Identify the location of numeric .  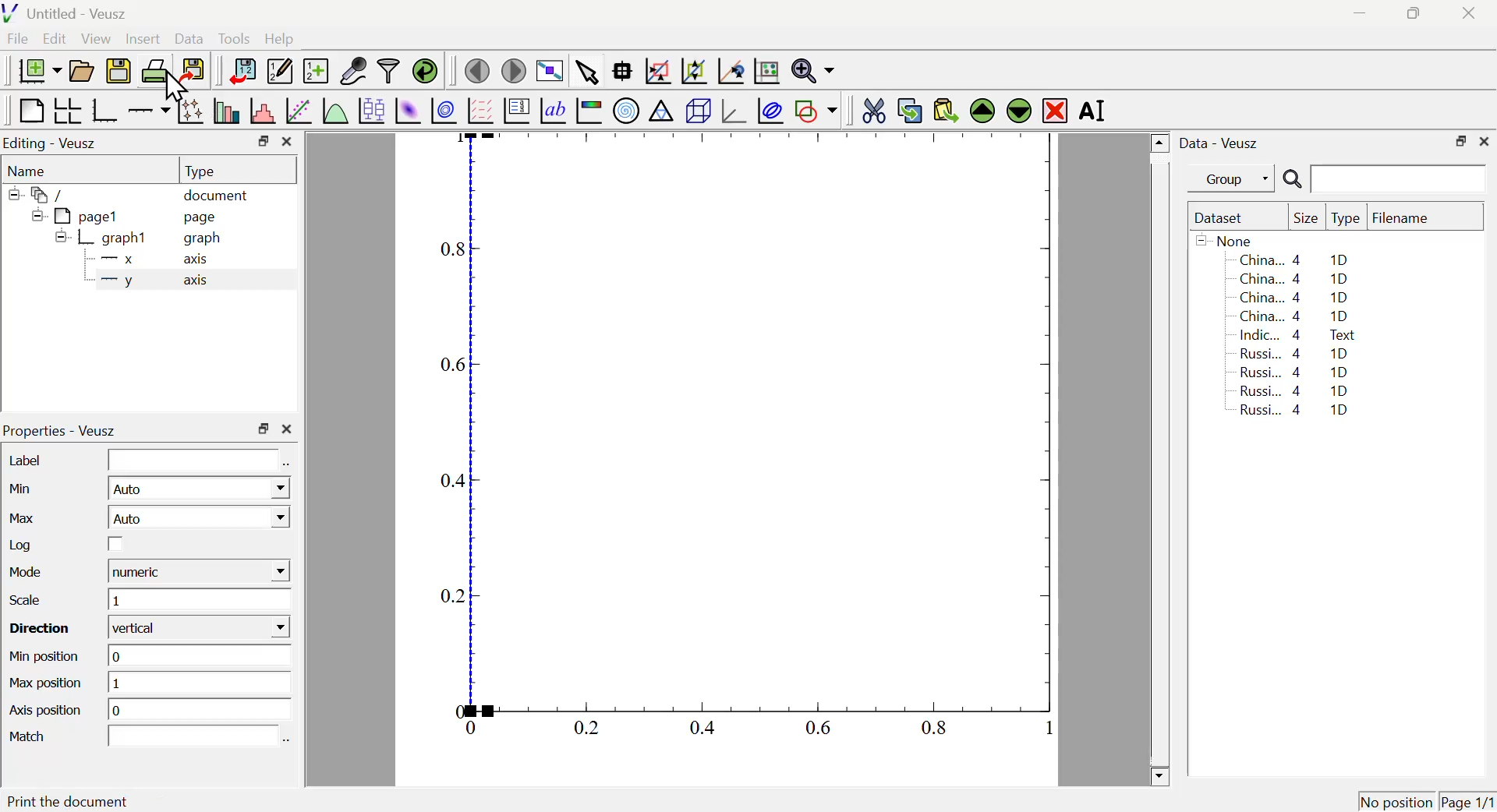
(199, 571).